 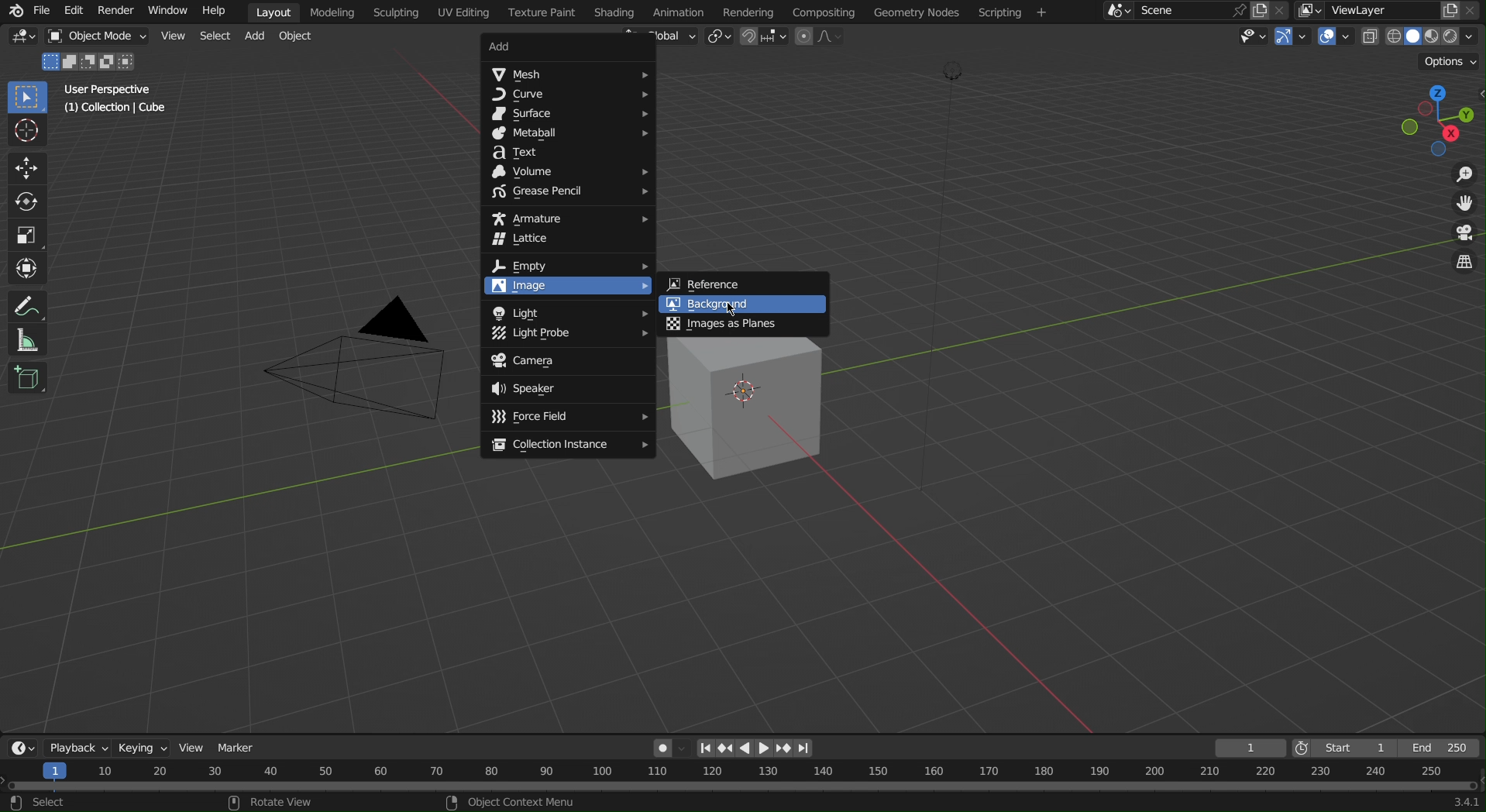 I want to click on Viewport Shading, so click(x=1425, y=36).